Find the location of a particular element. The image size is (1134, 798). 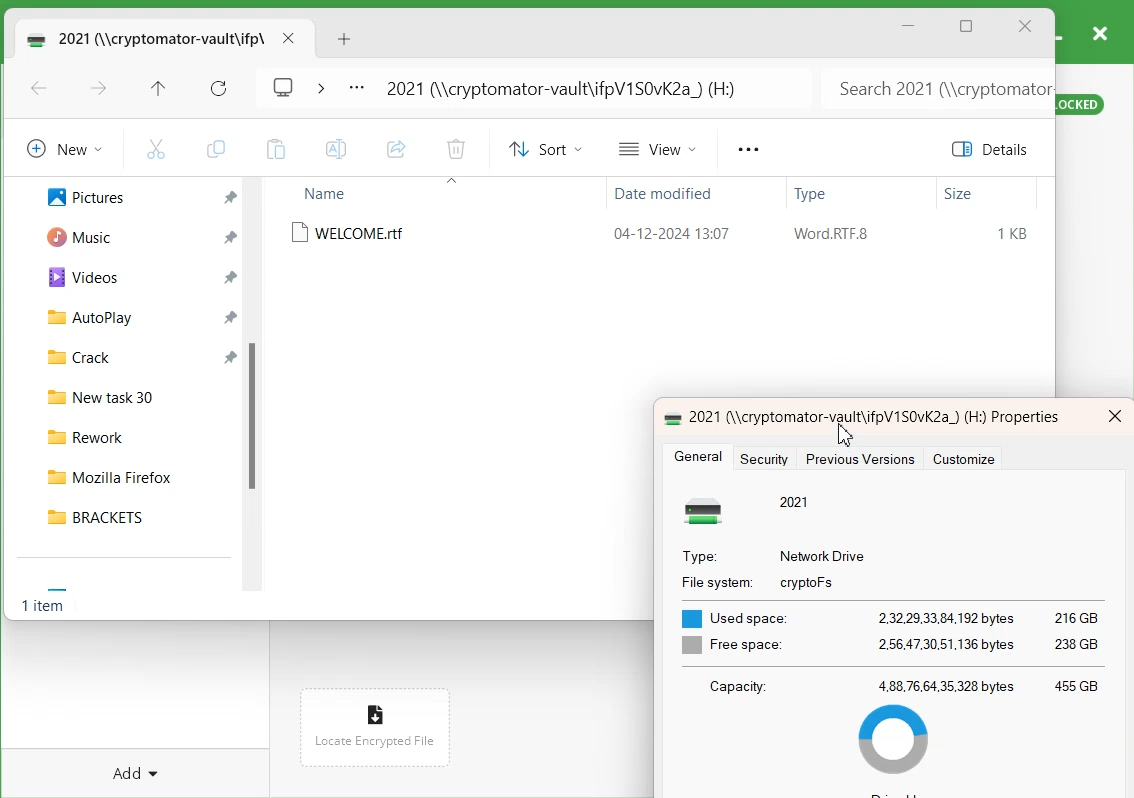

Date modified is located at coordinates (659, 196).